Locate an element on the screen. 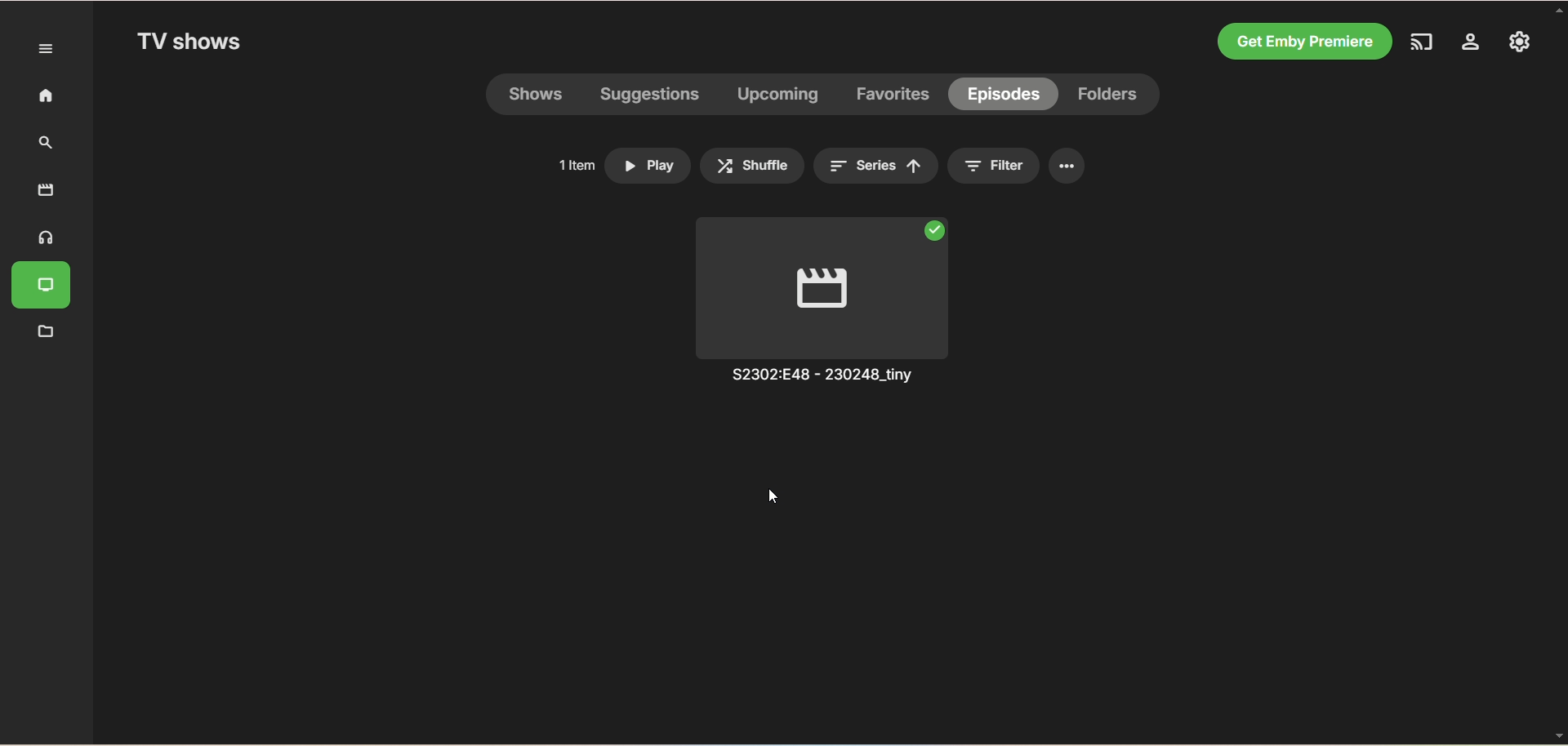  episode is located at coordinates (1003, 93).